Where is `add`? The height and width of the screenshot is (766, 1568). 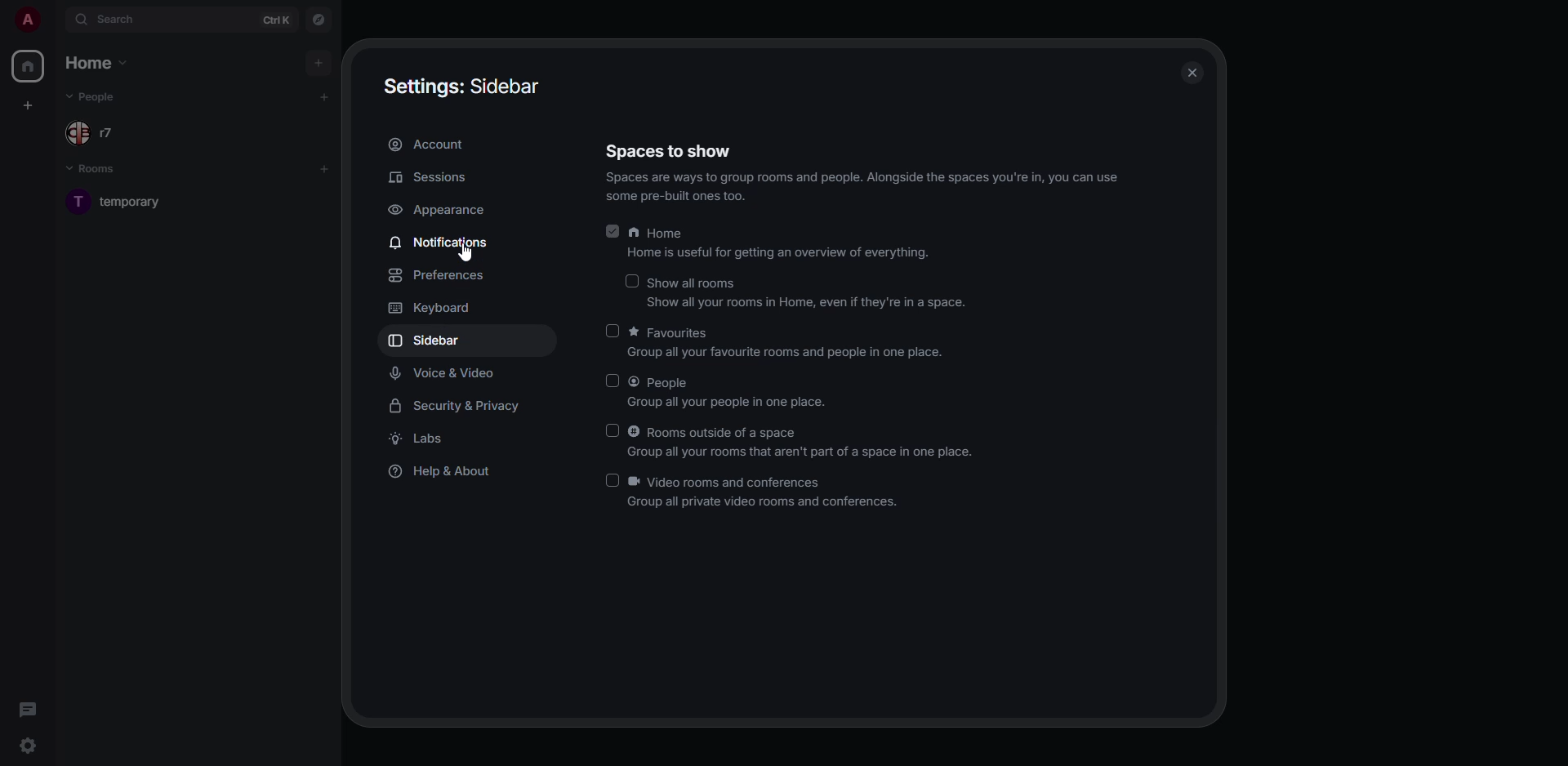 add is located at coordinates (325, 96).